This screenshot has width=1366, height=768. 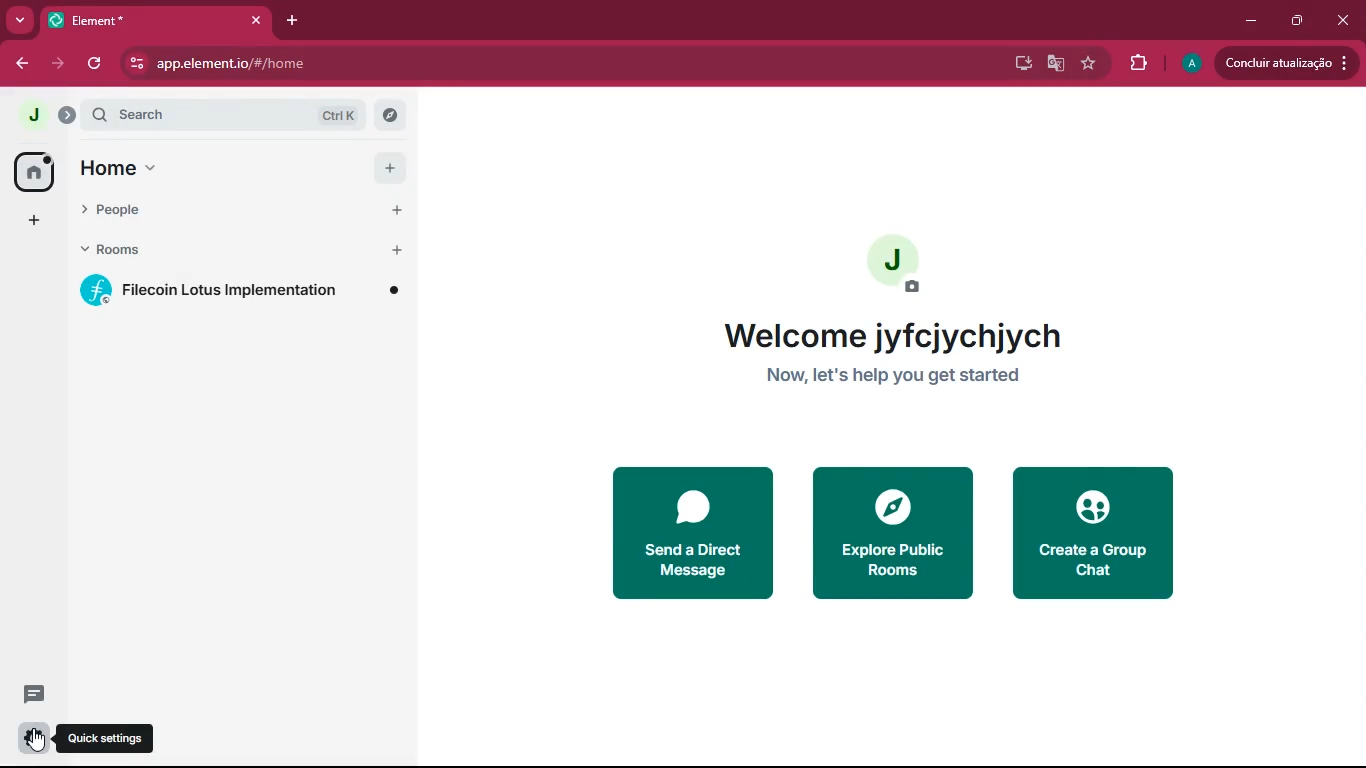 What do you see at coordinates (27, 696) in the screenshot?
I see `message` at bounding box center [27, 696].